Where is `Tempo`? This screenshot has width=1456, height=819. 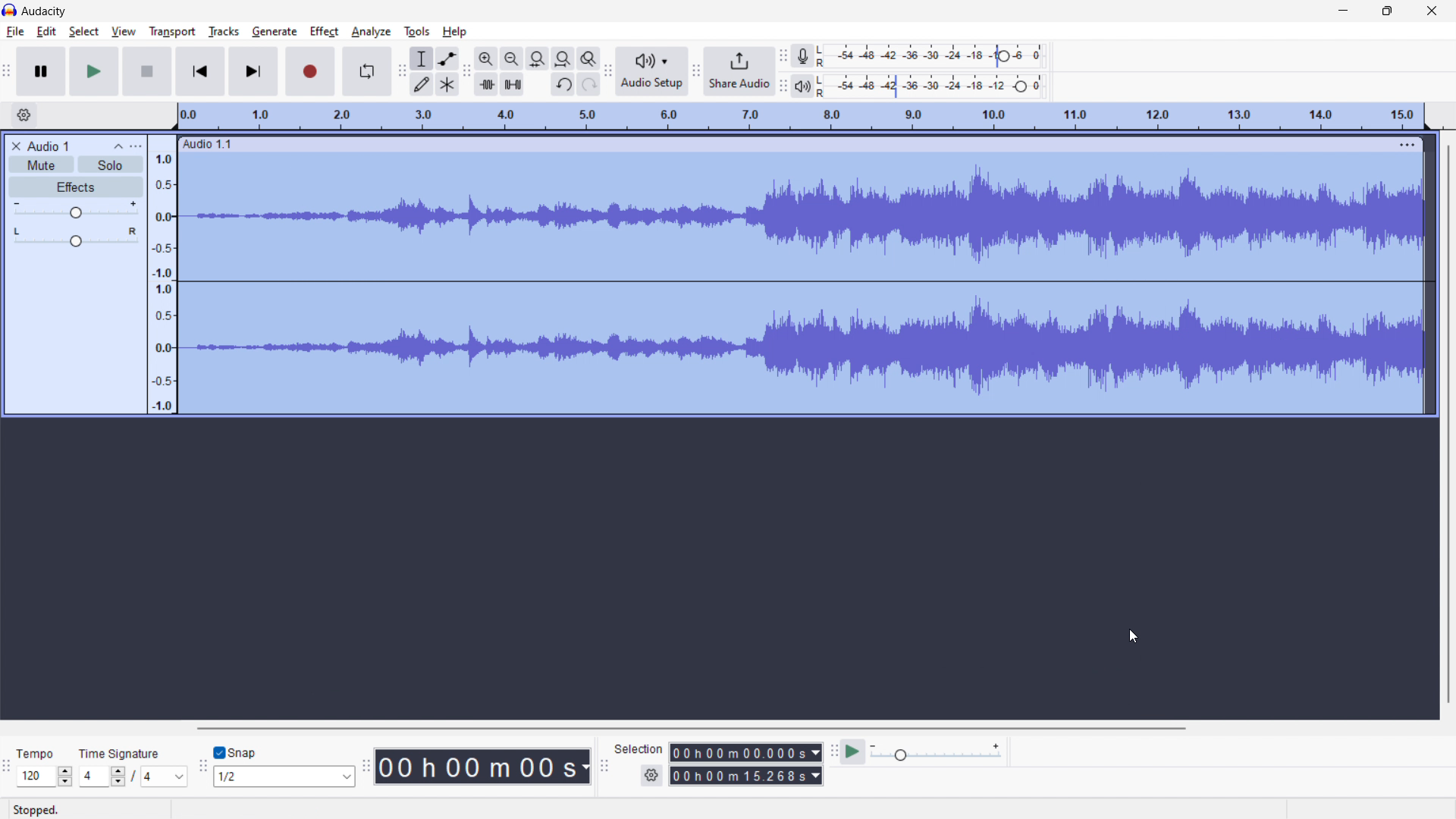
Tempo is located at coordinates (44, 754).